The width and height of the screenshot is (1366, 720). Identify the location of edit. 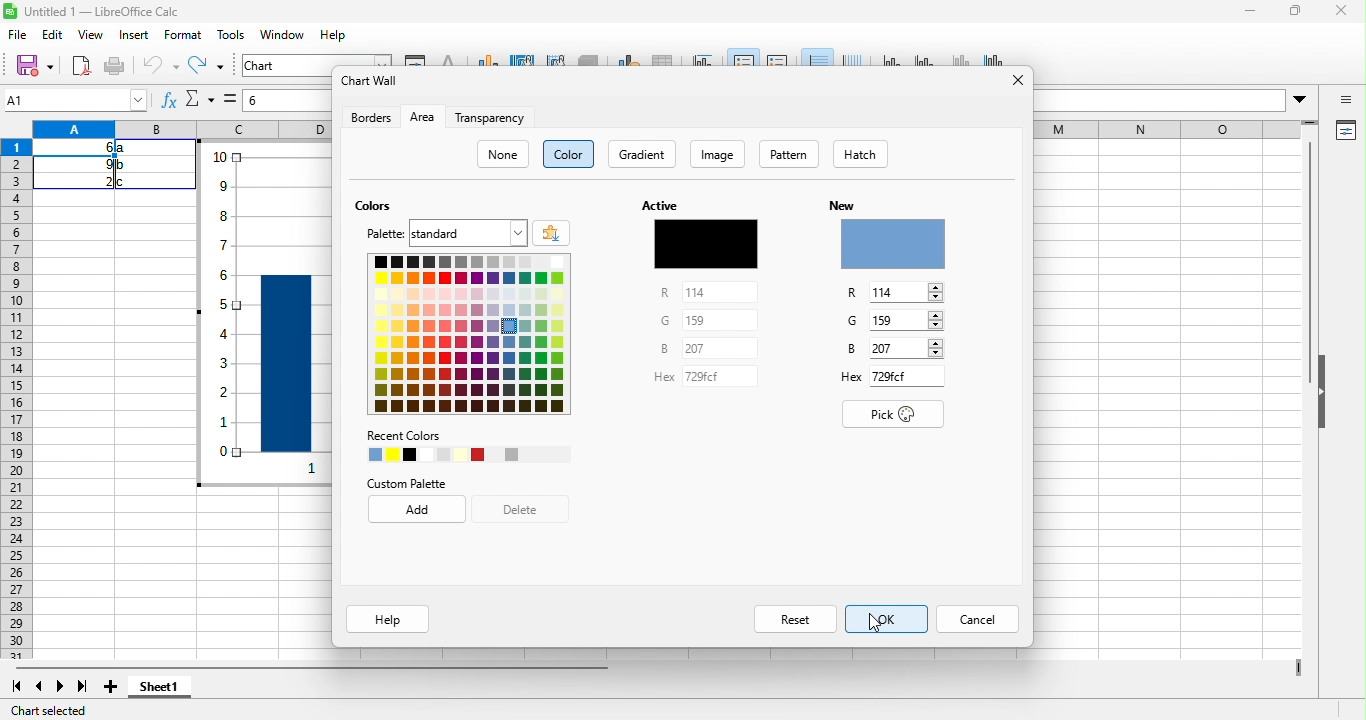
(55, 37).